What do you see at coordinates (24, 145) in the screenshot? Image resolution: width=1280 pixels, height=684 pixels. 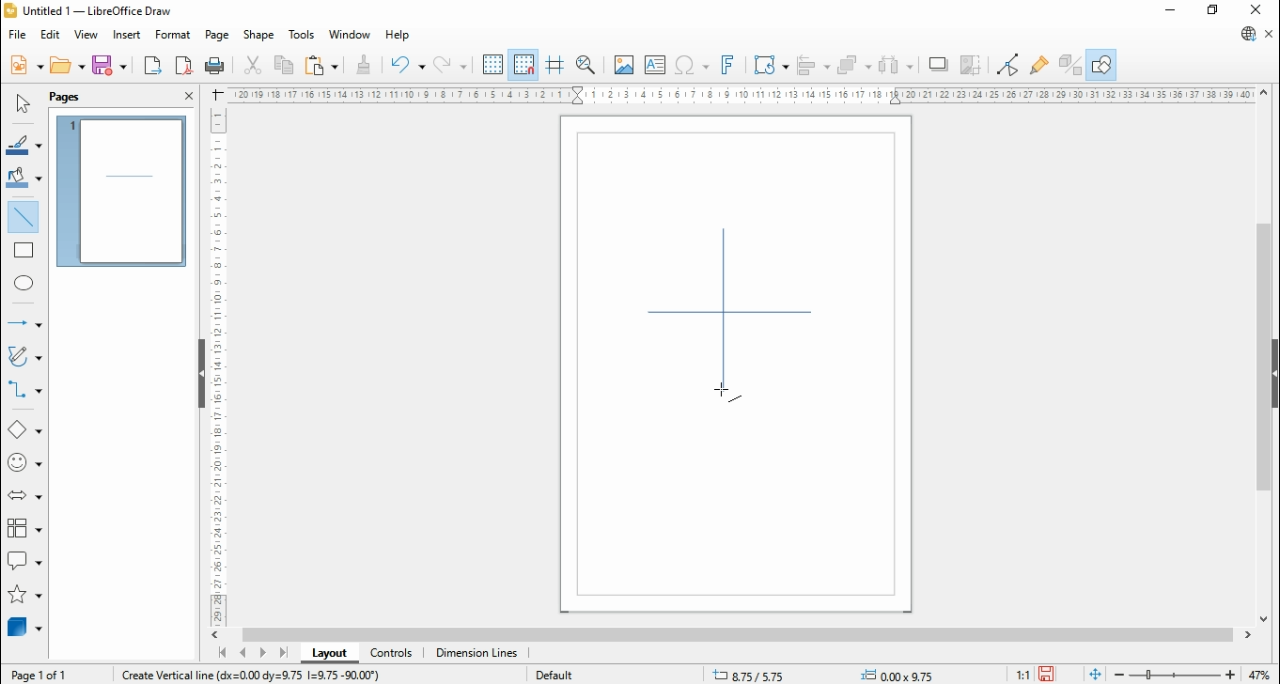 I see `line color` at bounding box center [24, 145].